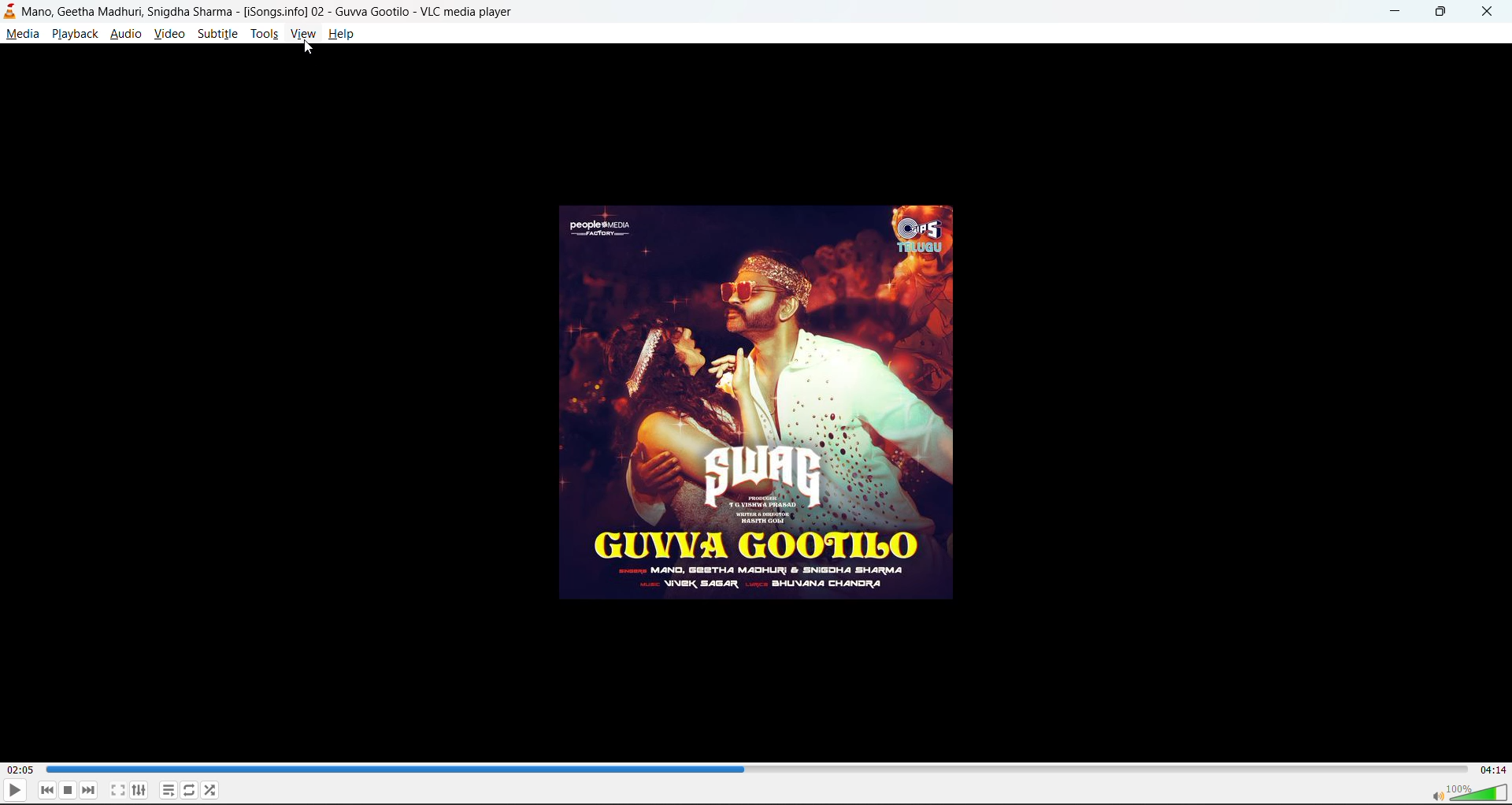 This screenshot has width=1512, height=805. What do you see at coordinates (89, 790) in the screenshot?
I see `next` at bounding box center [89, 790].